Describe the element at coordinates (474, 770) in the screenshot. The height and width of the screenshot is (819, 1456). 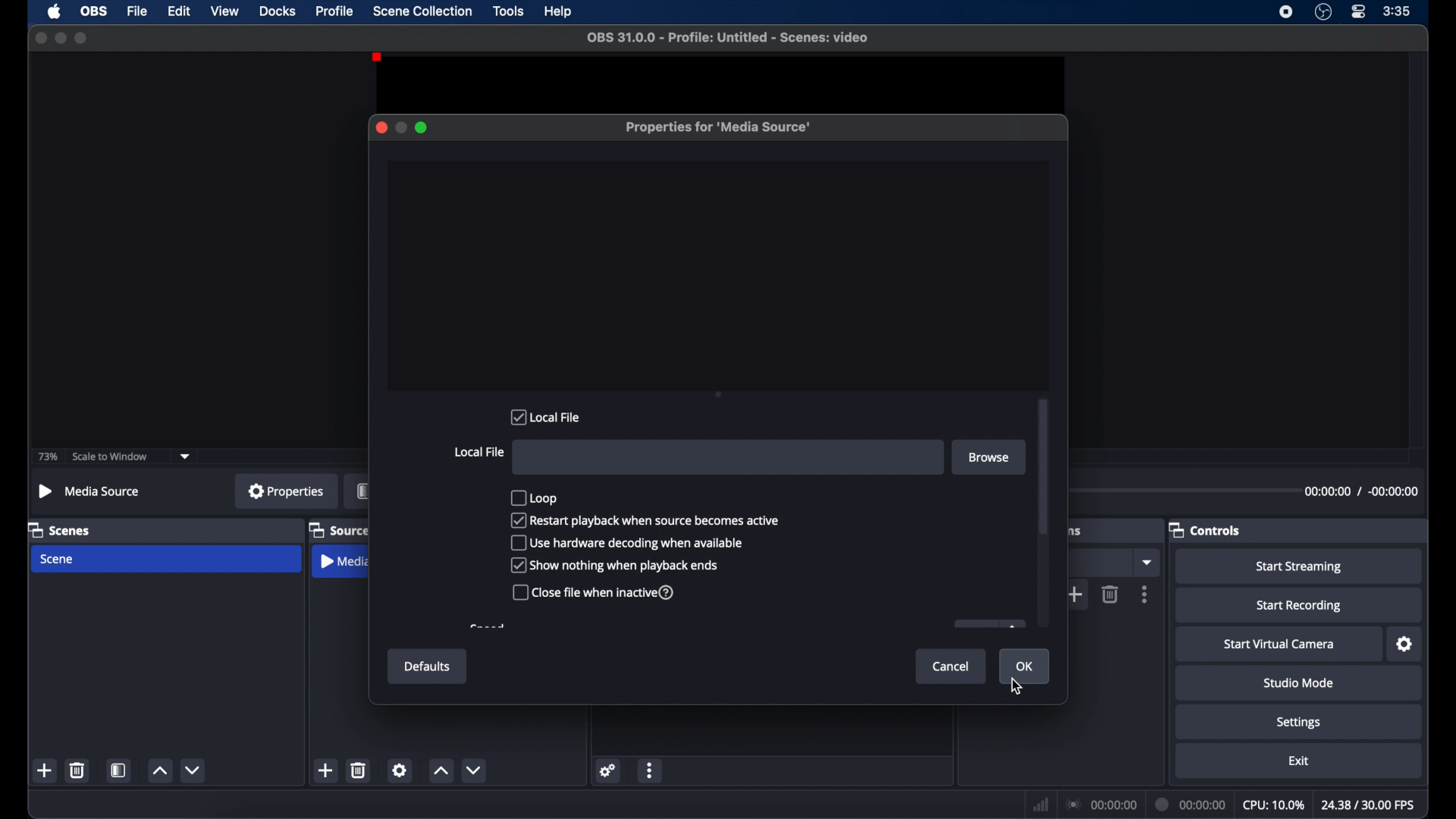
I see `decrement` at that location.